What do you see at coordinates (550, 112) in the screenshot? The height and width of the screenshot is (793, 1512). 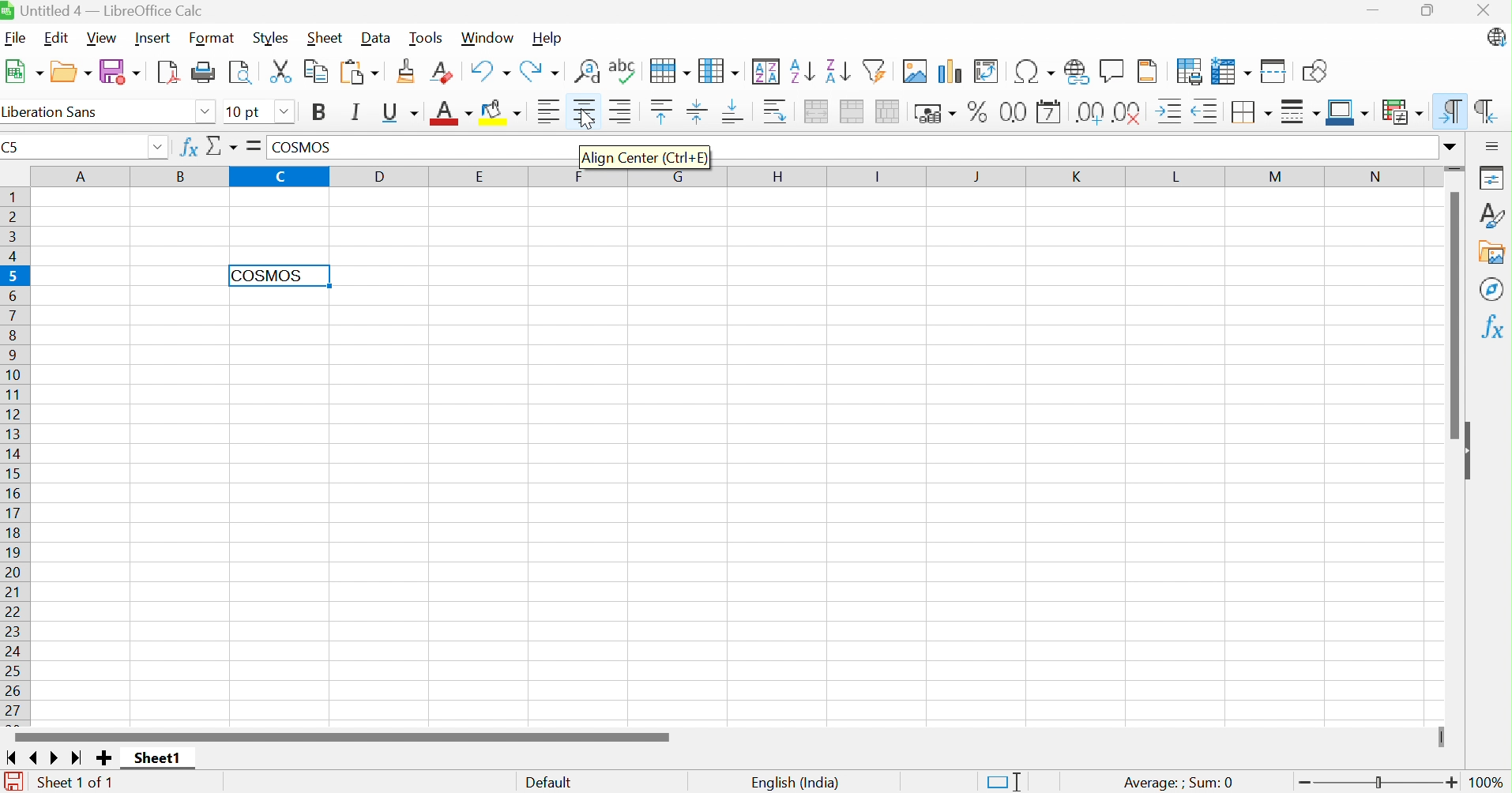 I see `Align Left` at bounding box center [550, 112].